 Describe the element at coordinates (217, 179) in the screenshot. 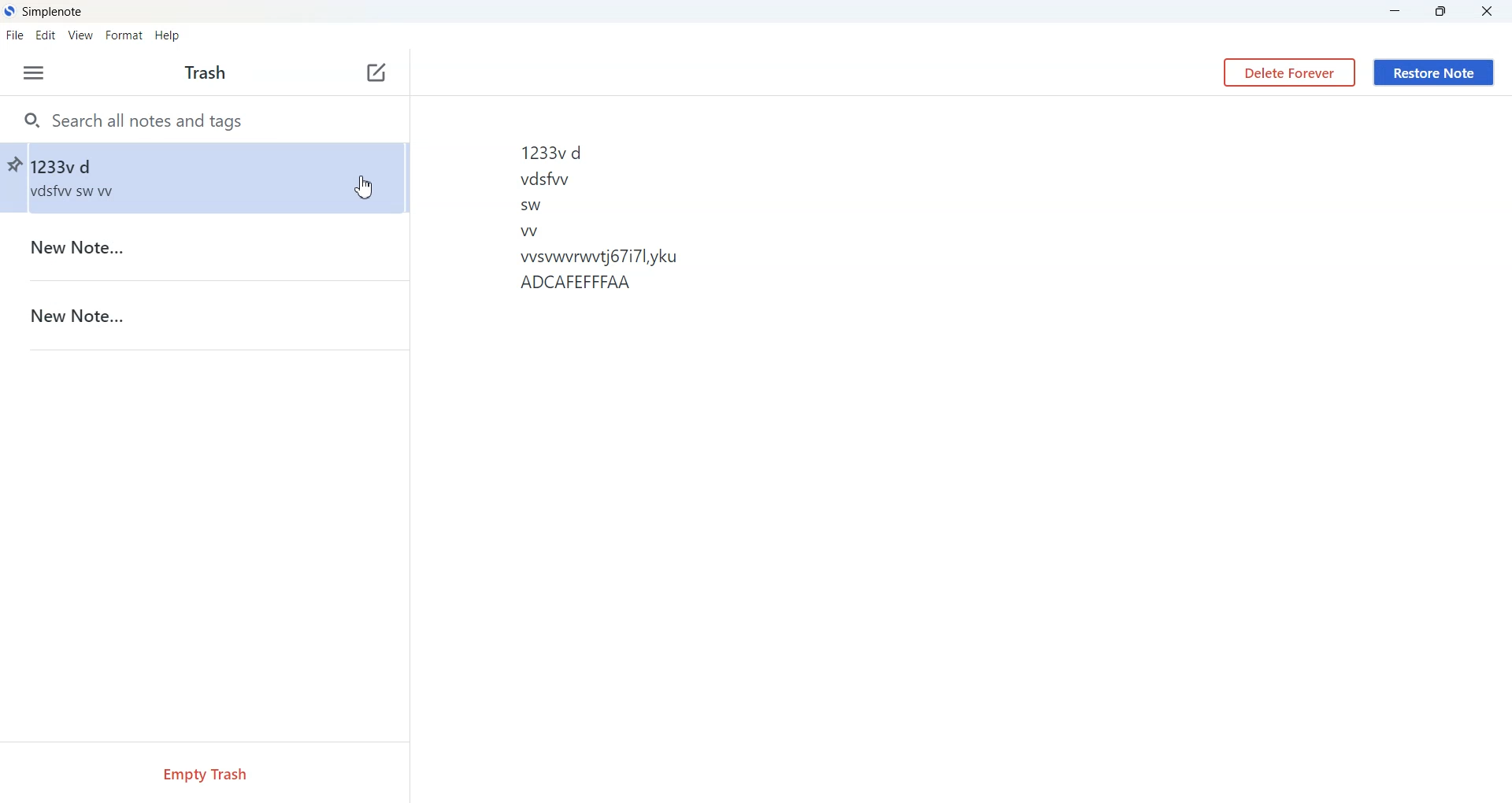

I see `1233v d` at that location.